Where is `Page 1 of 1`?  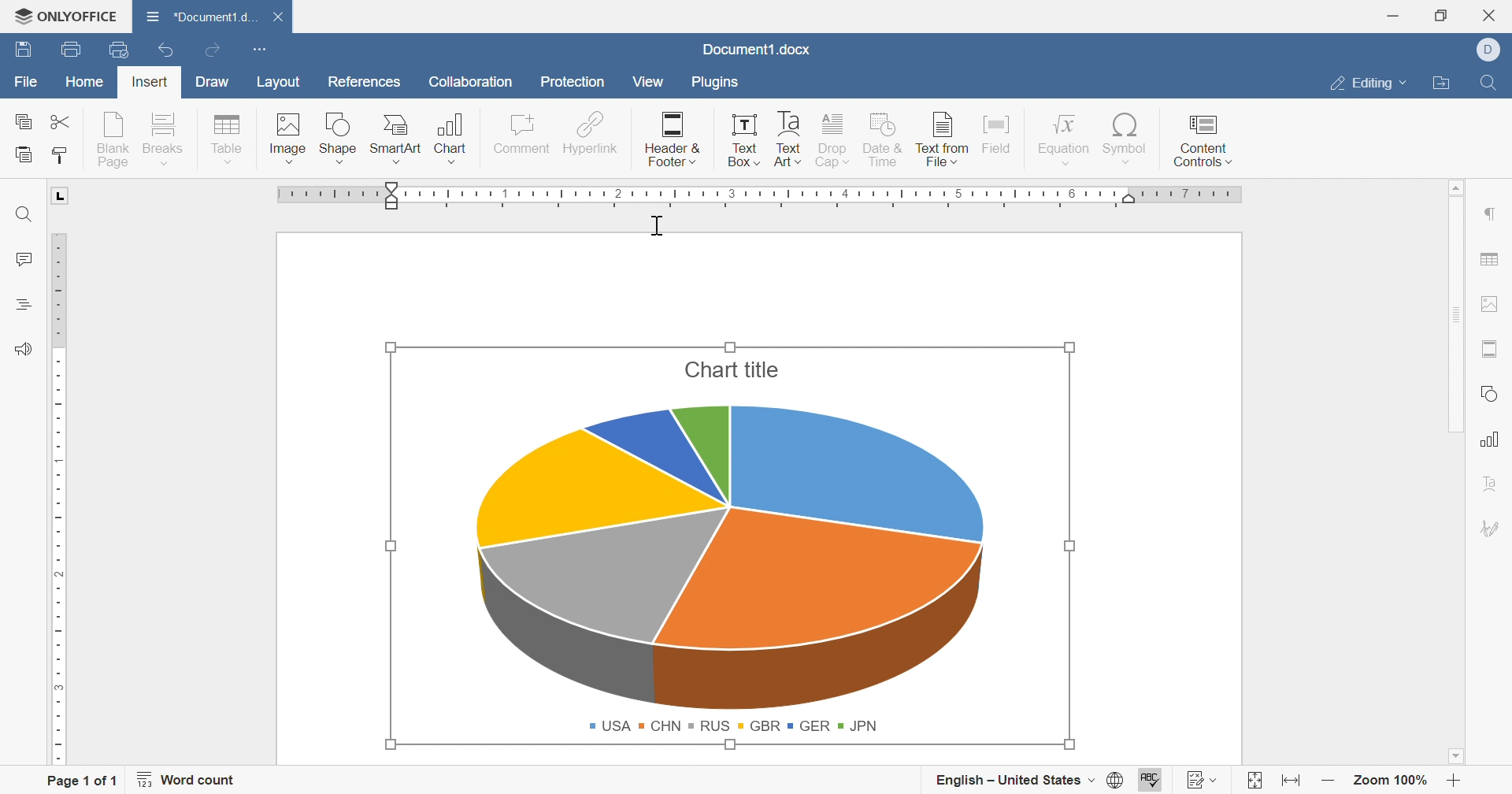 Page 1 of 1 is located at coordinates (80, 781).